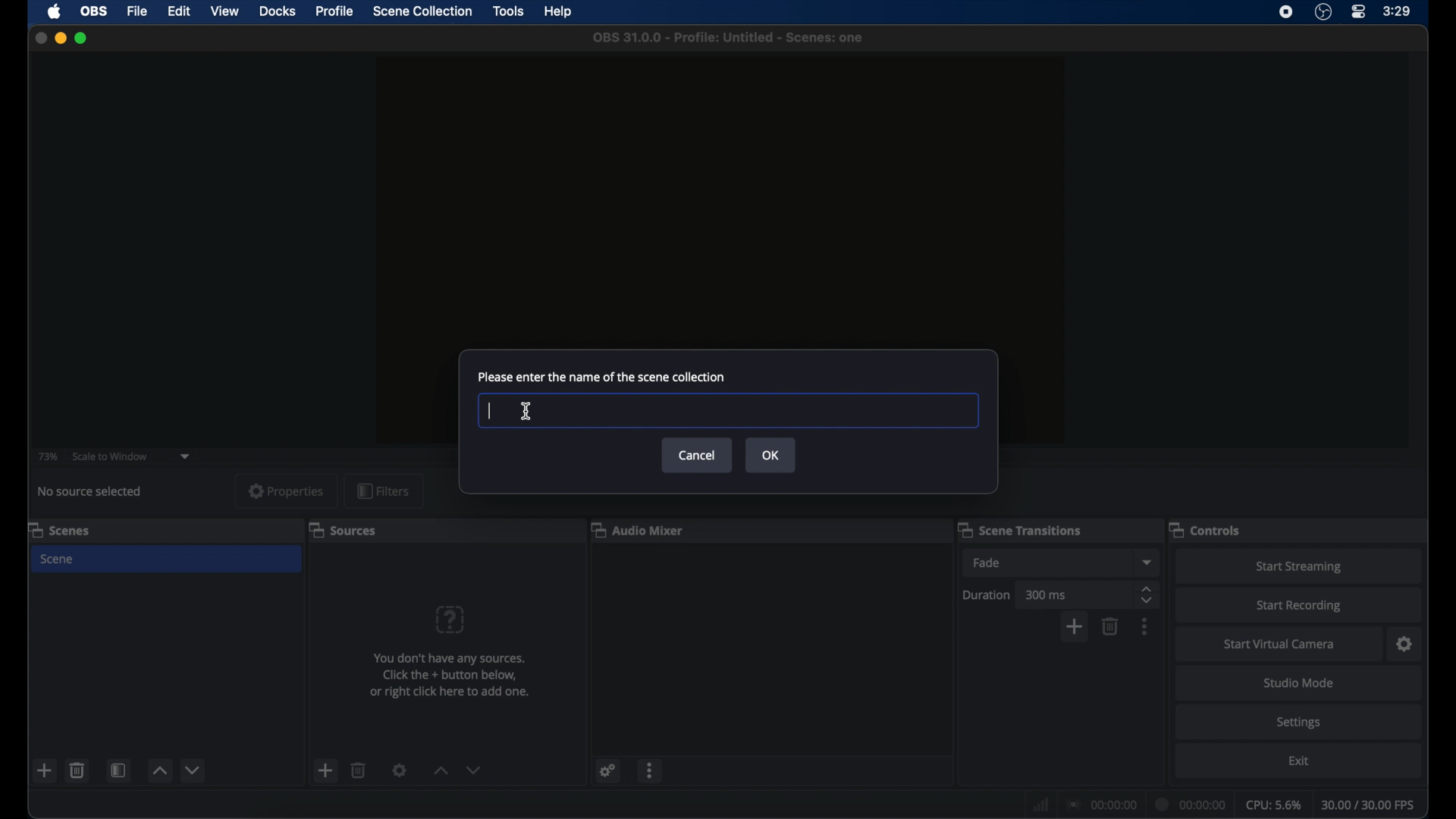 Image resolution: width=1456 pixels, height=819 pixels. Describe the element at coordinates (1370, 805) in the screenshot. I see `fps` at that location.